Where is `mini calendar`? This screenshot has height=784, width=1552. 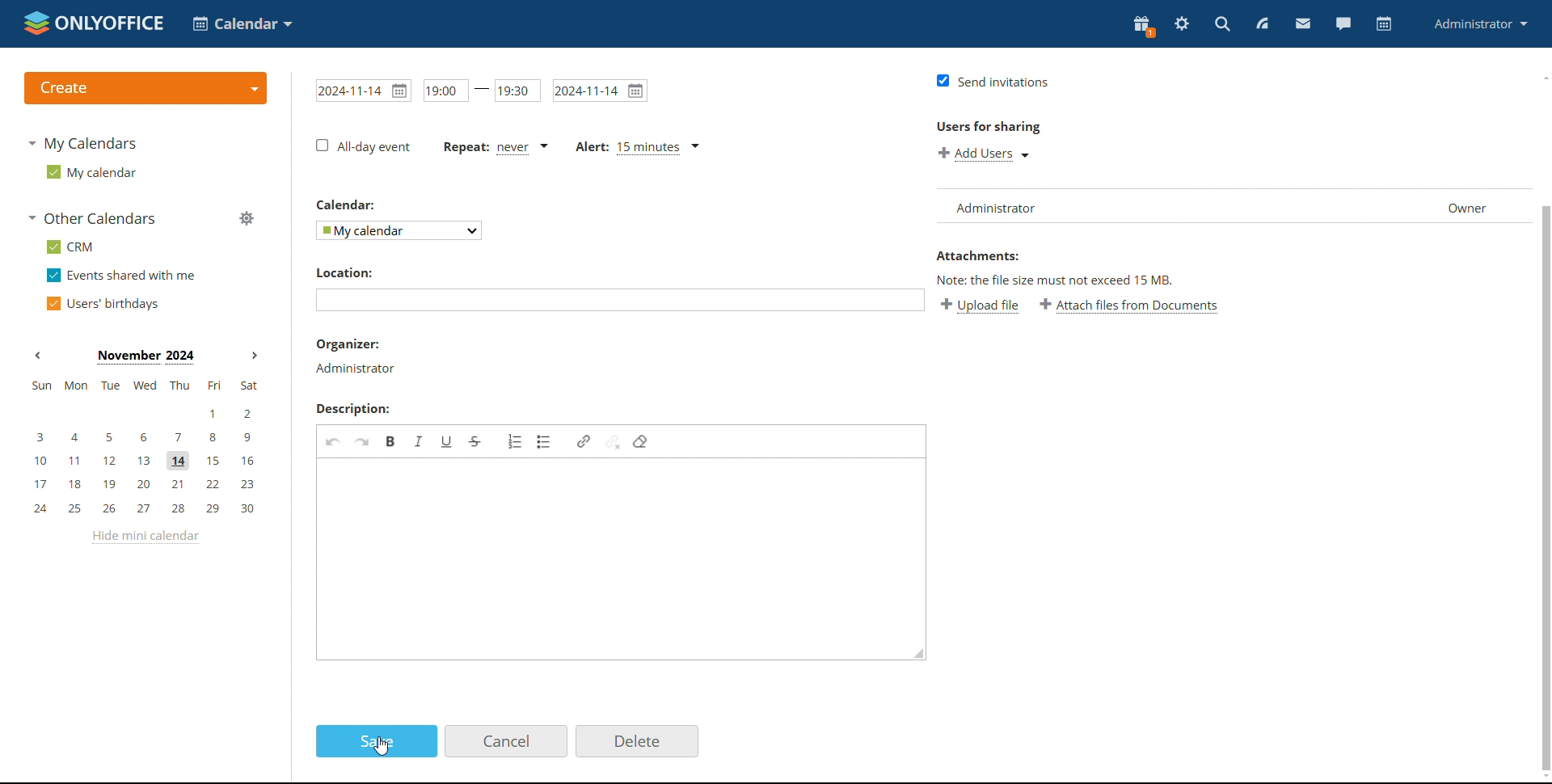 mini calendar is located at coordinates (145, 448).